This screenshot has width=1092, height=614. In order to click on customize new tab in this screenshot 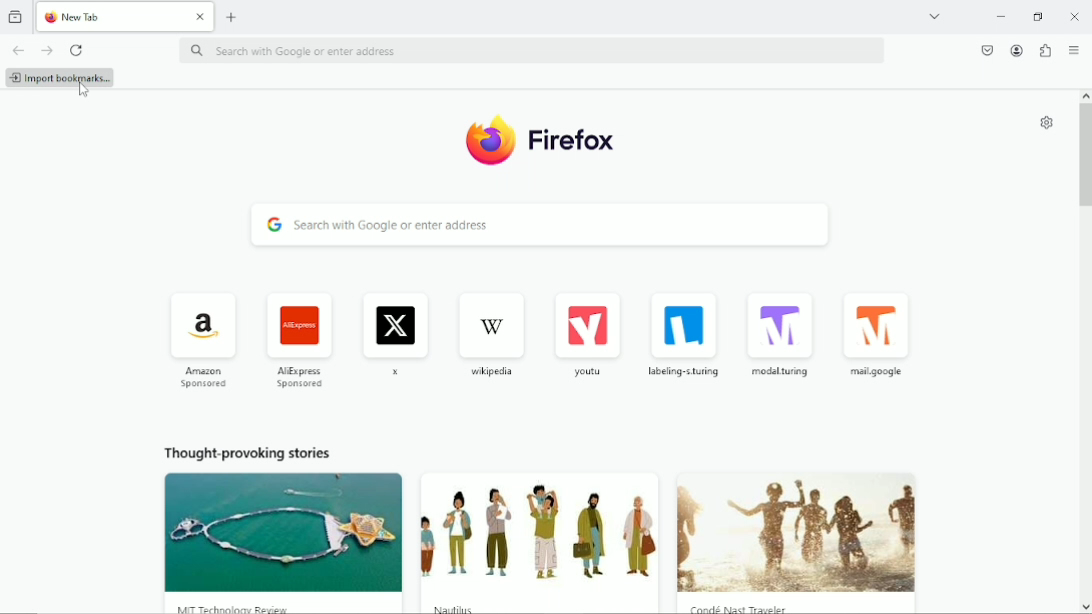, I will do `click(1046, 123)`.